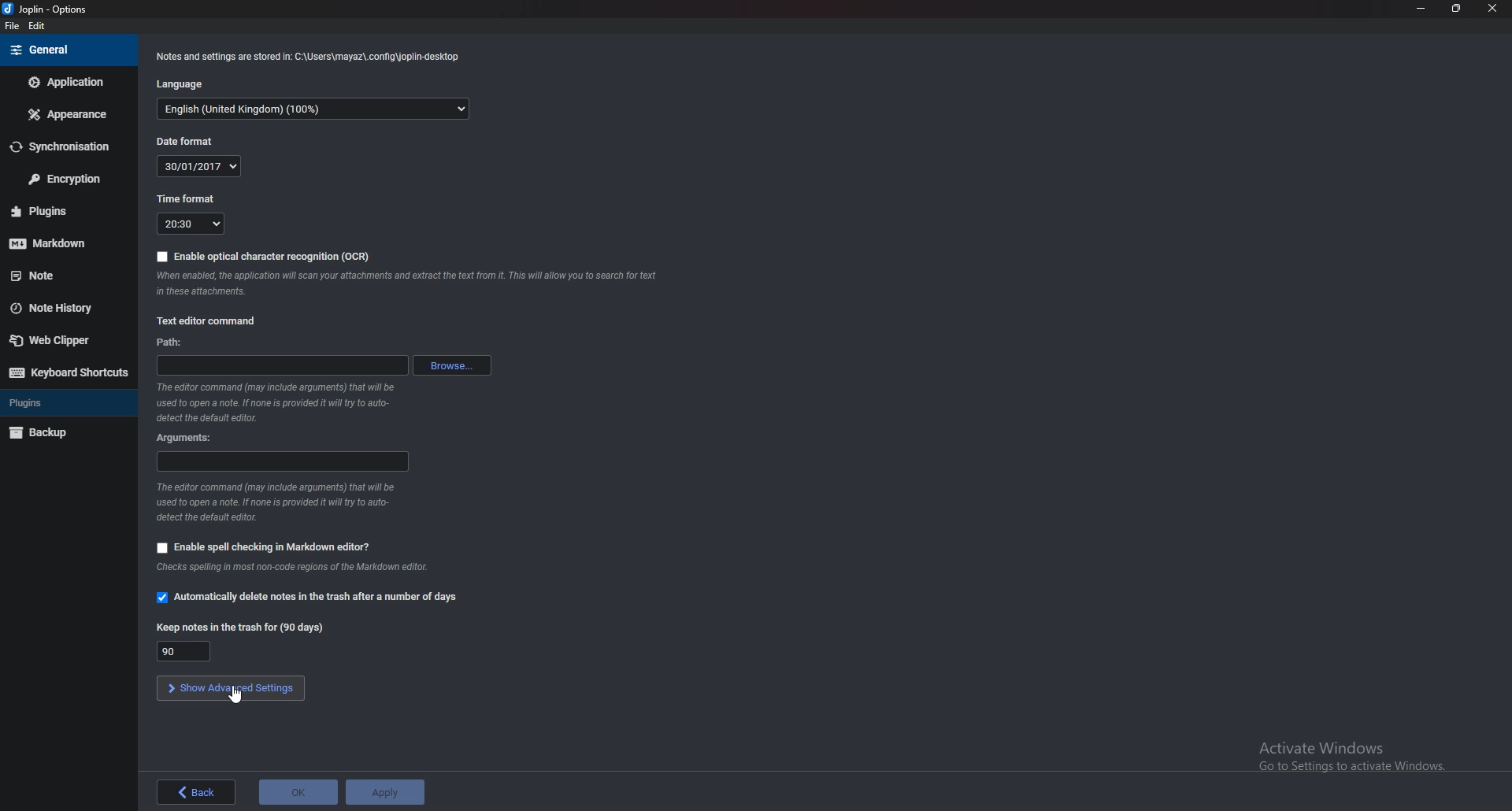 Image resolution: width=1512 pixels, height=811 pixels. What do you see at coordinates (65, 244) in the screenshot?
I see `markdown` at bounding box center [65, 244].